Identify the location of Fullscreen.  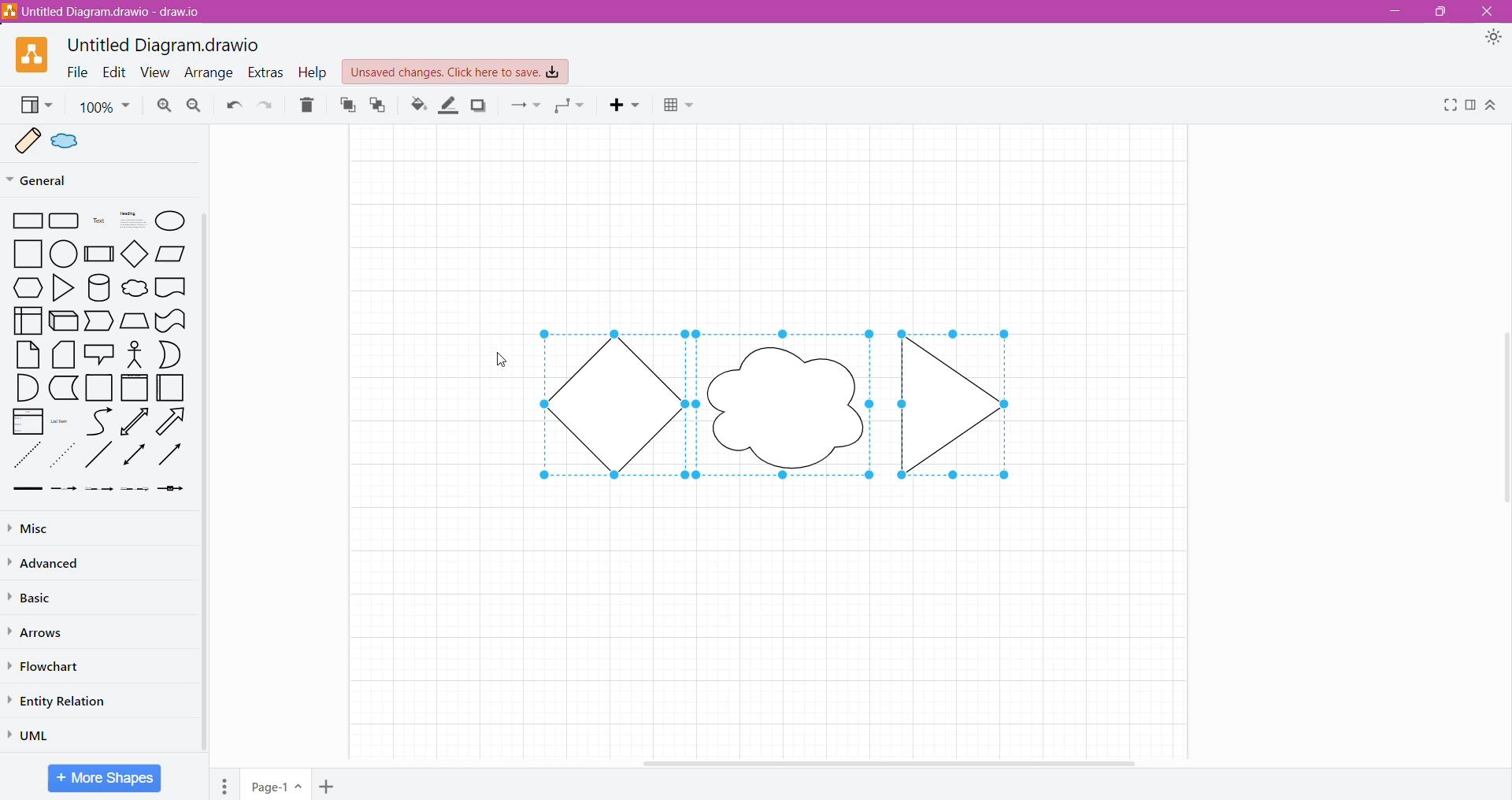
(1449, 107).